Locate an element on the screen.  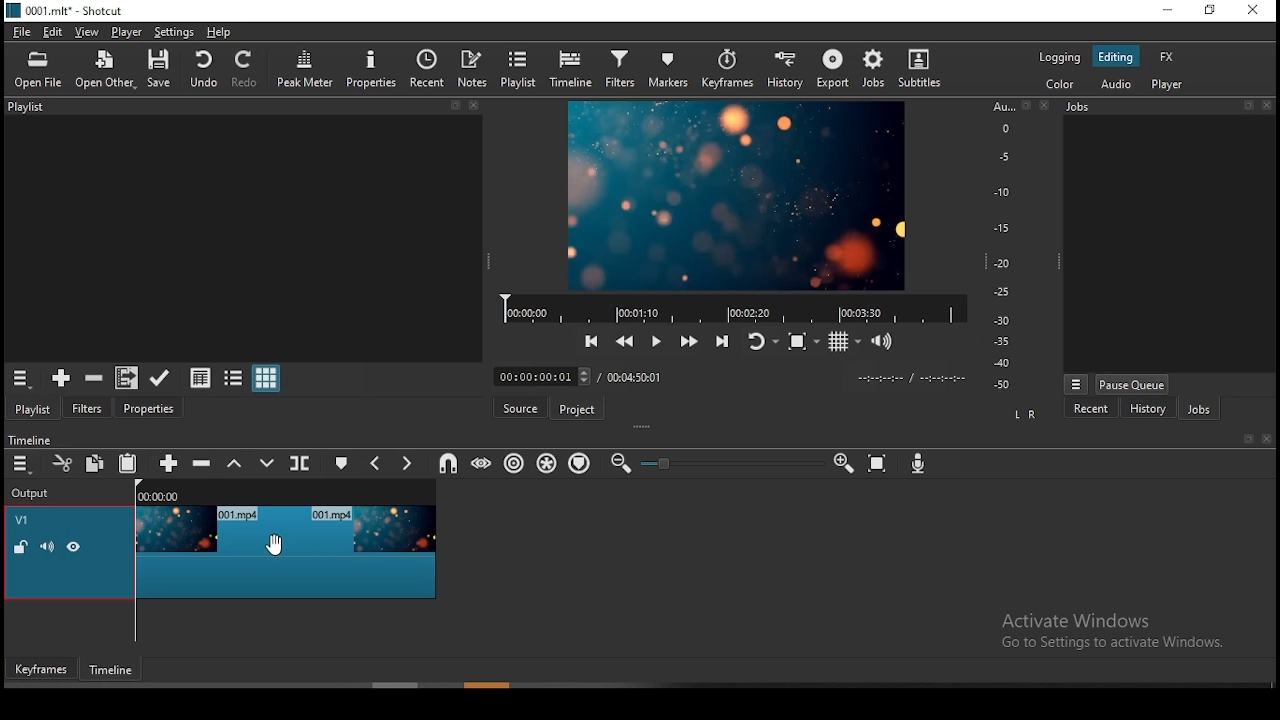
subtitles is located at coordinates (920, 69).